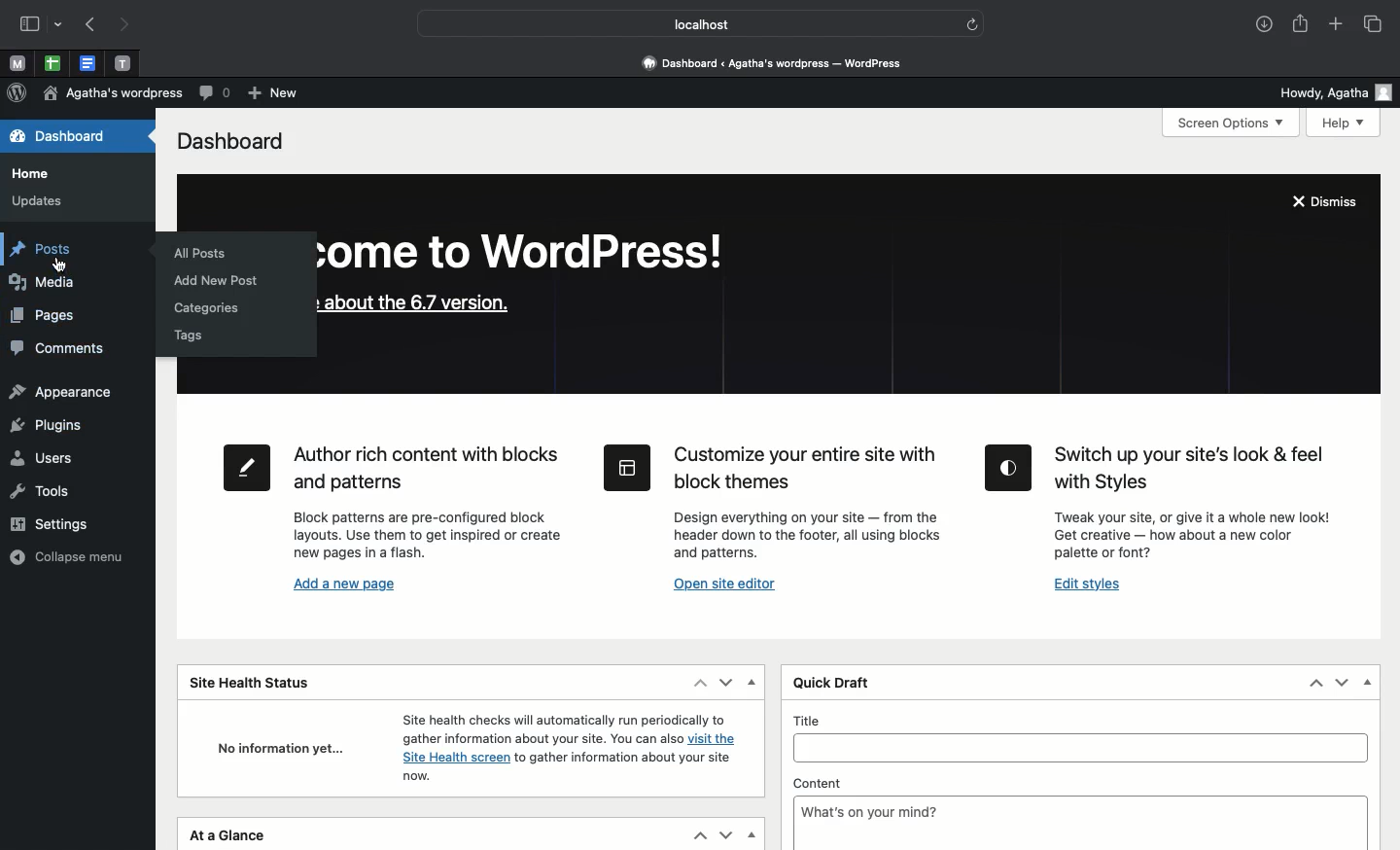 The image size is (1400, 850). What do you see at coordinates (43, 317) in the screenshot?
I see `Page` at bounding box center [43, 317].